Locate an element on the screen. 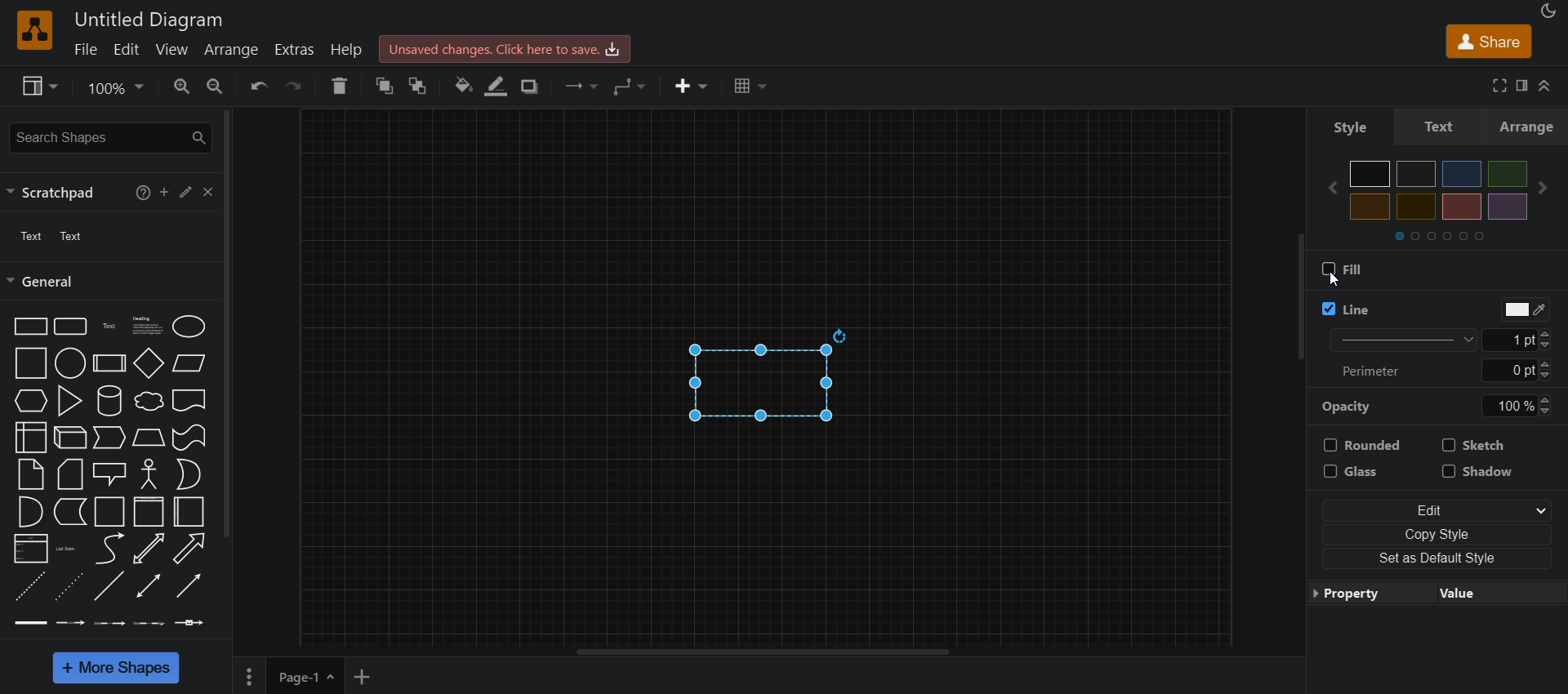 This screenshot has height=694, width=1568. diamond is located at coordinates (150, 362).